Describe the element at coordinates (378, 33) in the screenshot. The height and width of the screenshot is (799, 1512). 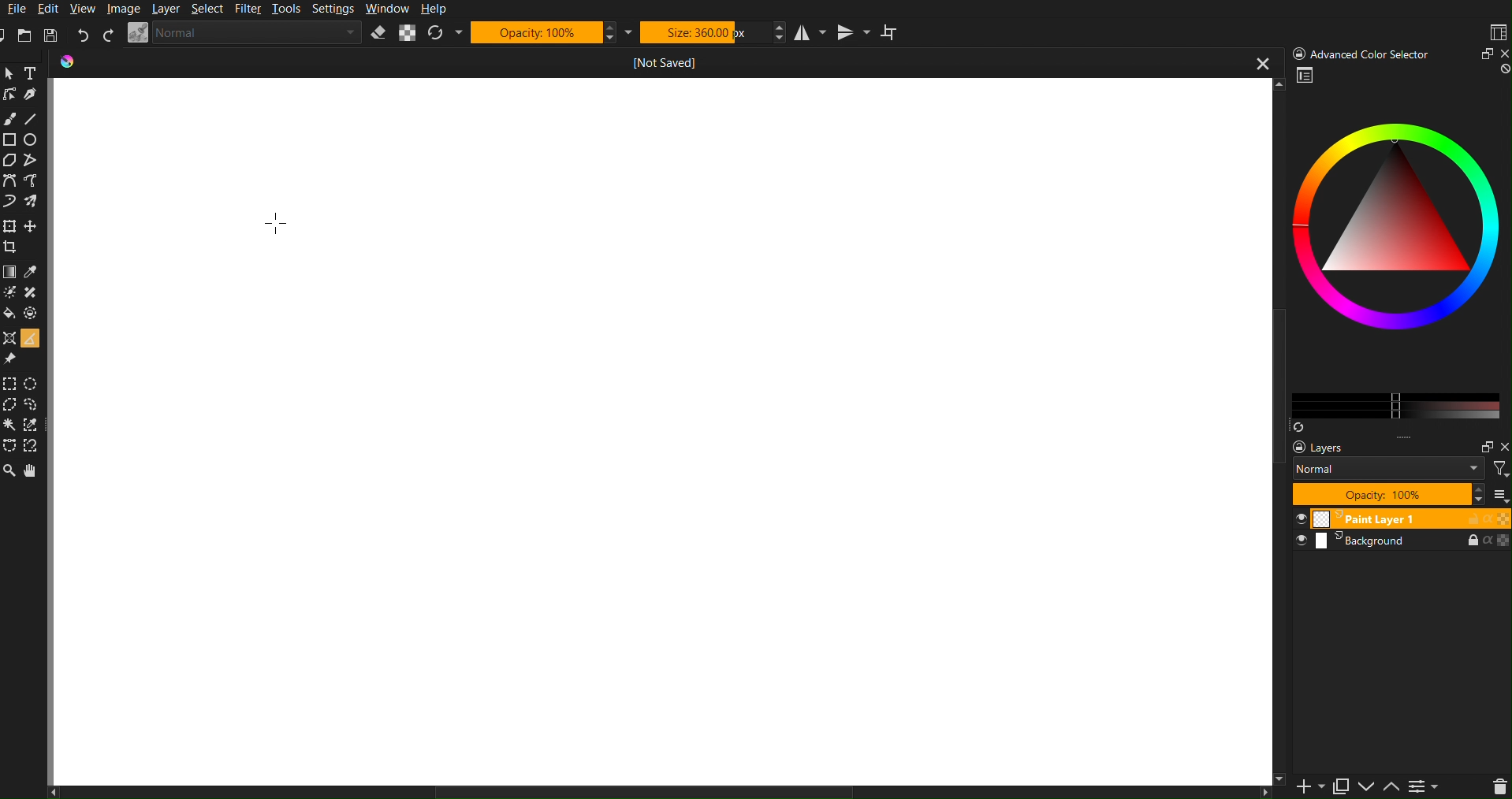
I see `Eraser` at that location.